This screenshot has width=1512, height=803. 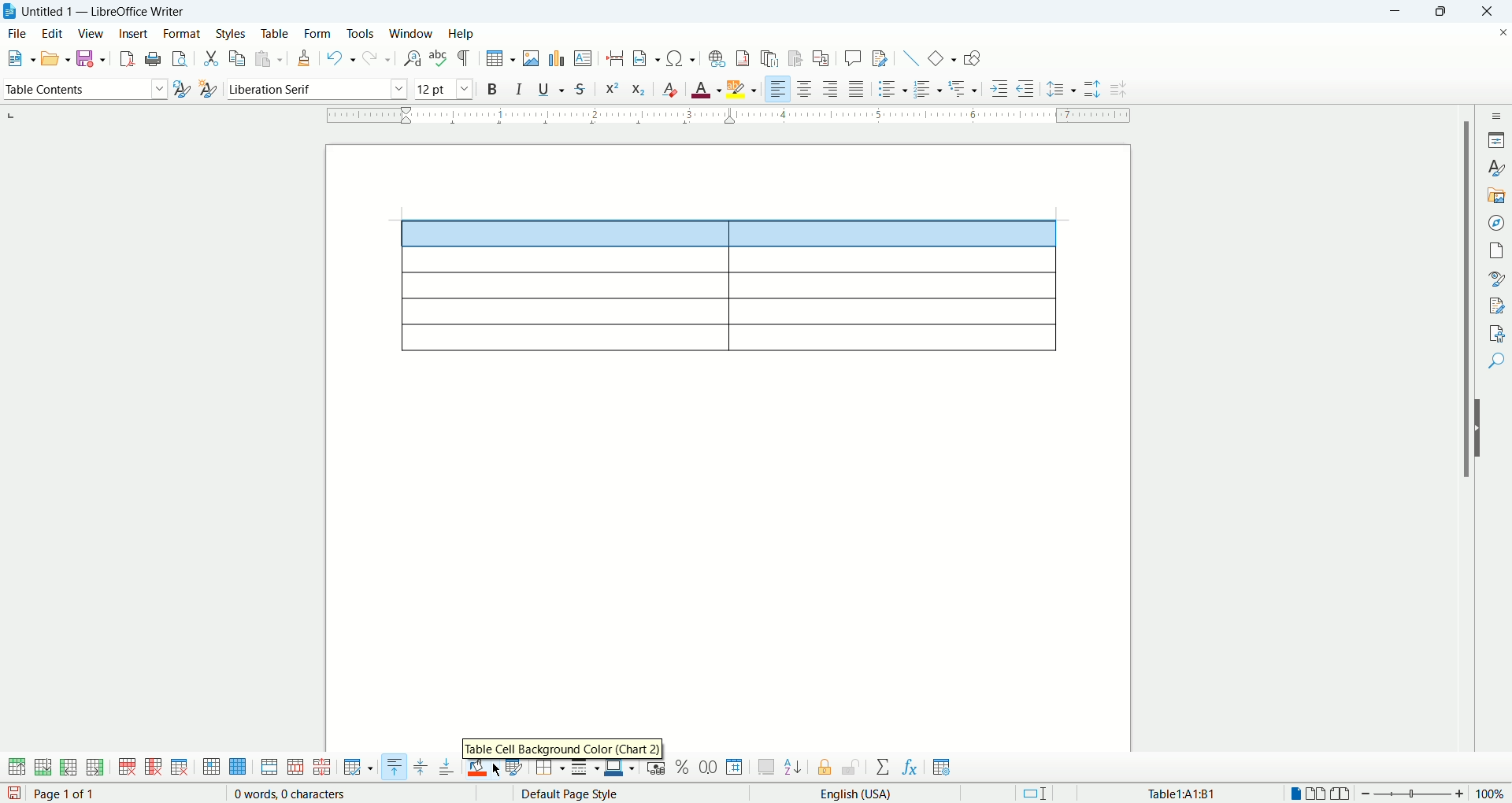 What do you see at coordinates (91, 33) in the screenshot?
I see `view` at bounding box center [91, 33].